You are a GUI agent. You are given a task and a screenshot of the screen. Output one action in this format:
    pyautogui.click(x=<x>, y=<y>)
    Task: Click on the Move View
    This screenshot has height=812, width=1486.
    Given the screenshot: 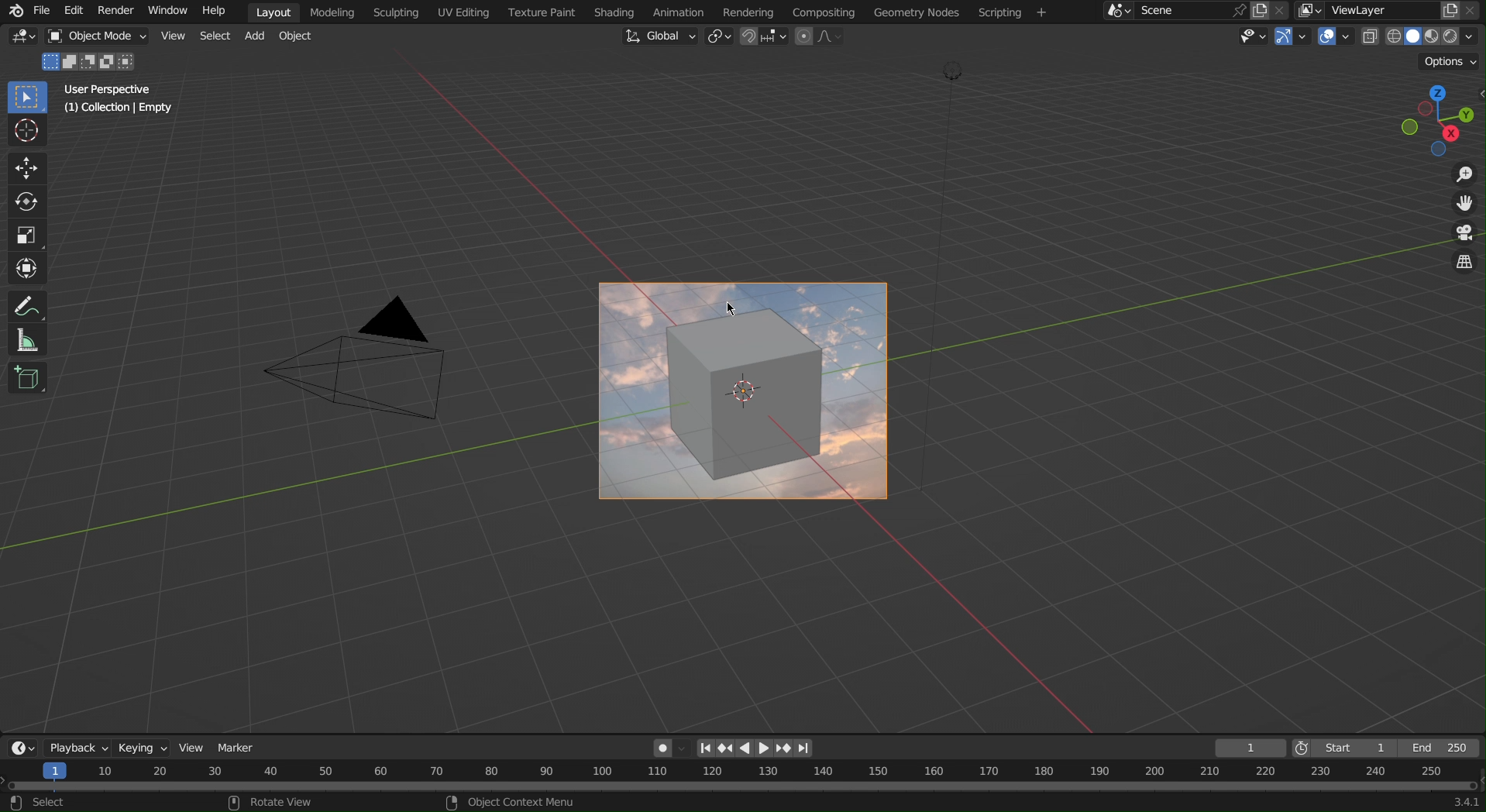 What is the action you would take?
    pyautogui.click(x=1464, y=206)
    